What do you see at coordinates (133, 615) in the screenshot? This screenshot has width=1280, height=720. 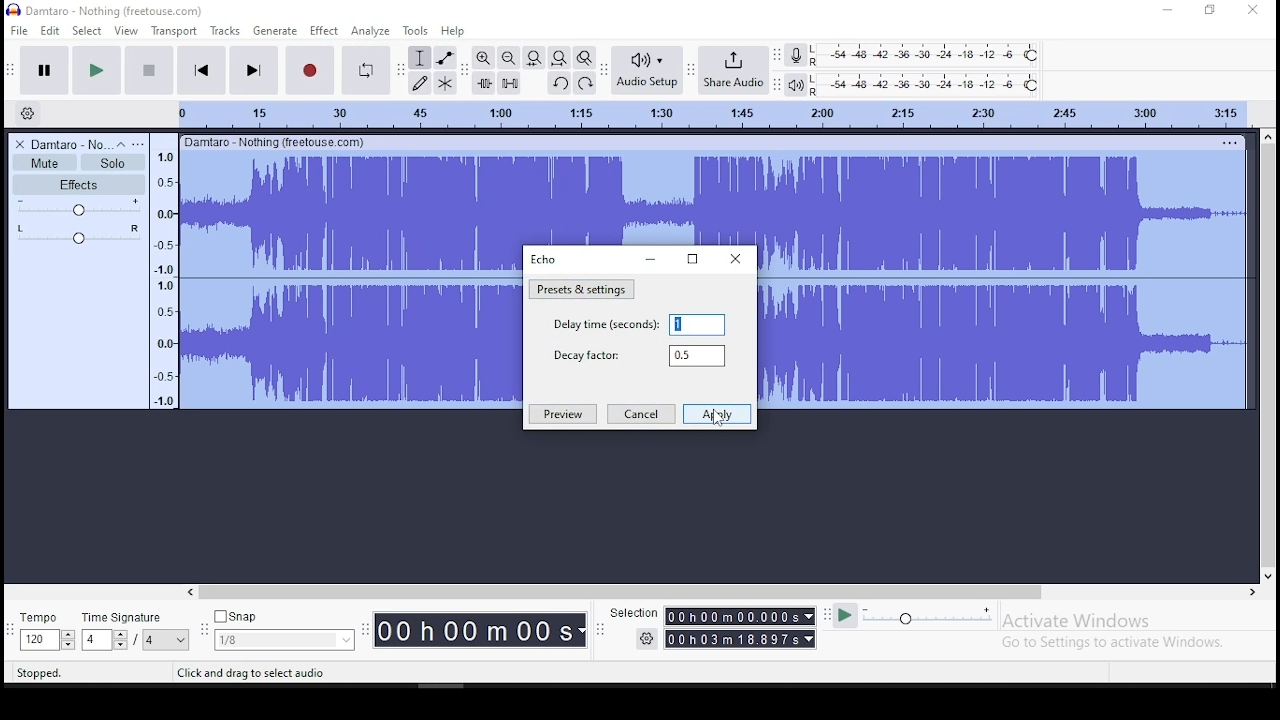 I see `time signature` at bounding box center [133, 615].